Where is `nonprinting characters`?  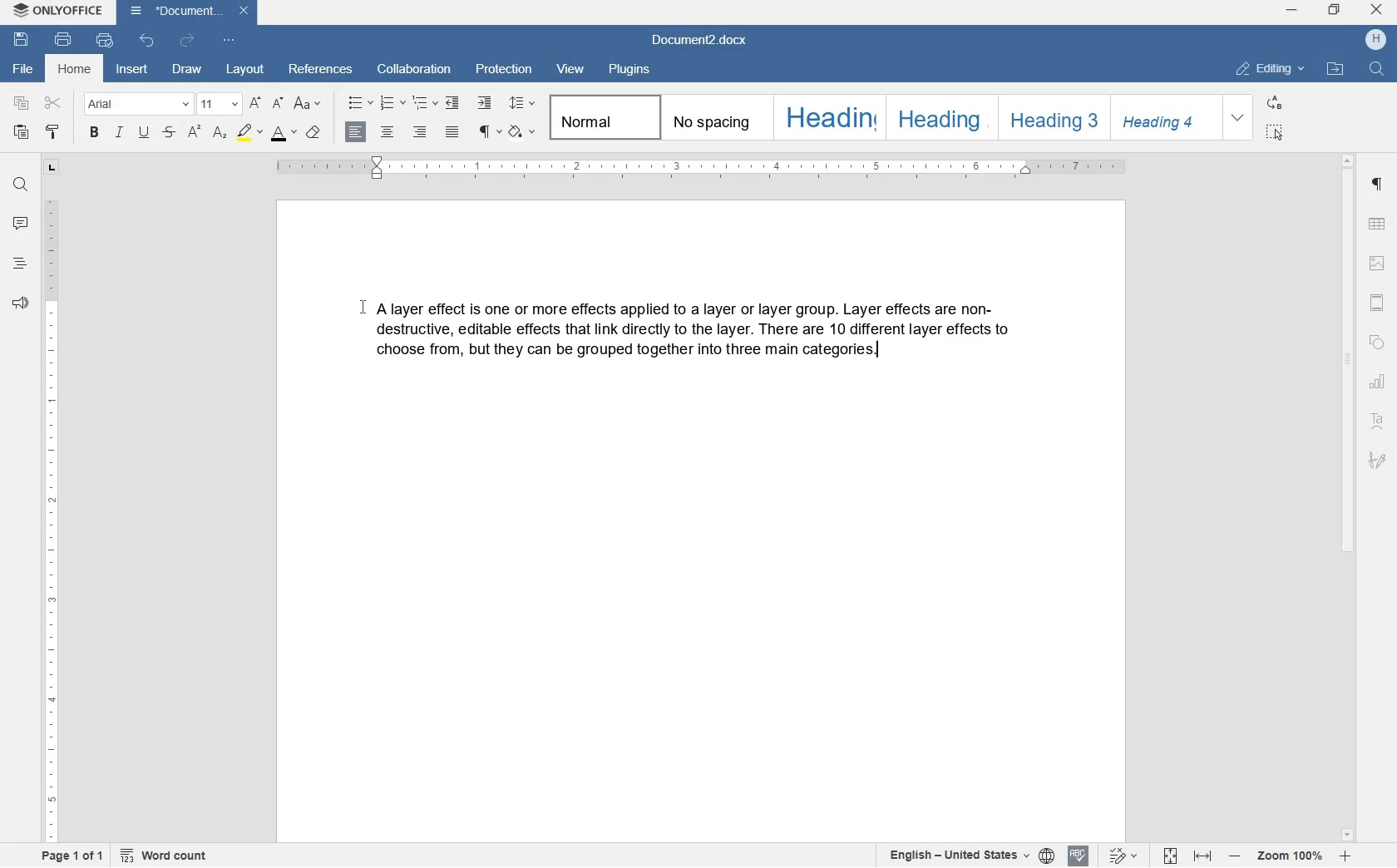 nonprinting characters is located at coordinates (488, 131).